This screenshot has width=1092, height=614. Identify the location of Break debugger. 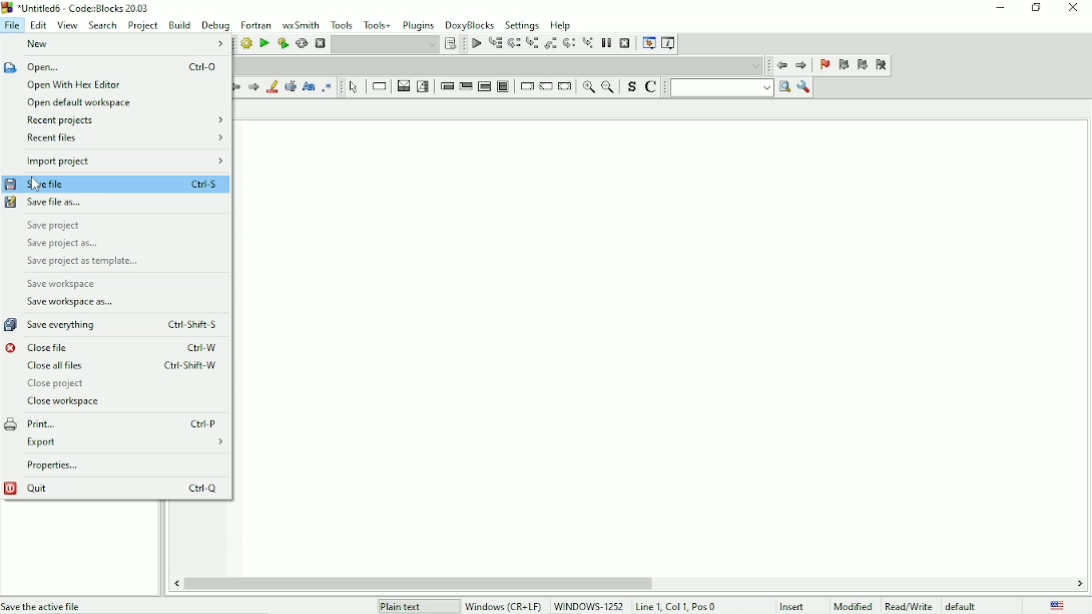
(605, 43).